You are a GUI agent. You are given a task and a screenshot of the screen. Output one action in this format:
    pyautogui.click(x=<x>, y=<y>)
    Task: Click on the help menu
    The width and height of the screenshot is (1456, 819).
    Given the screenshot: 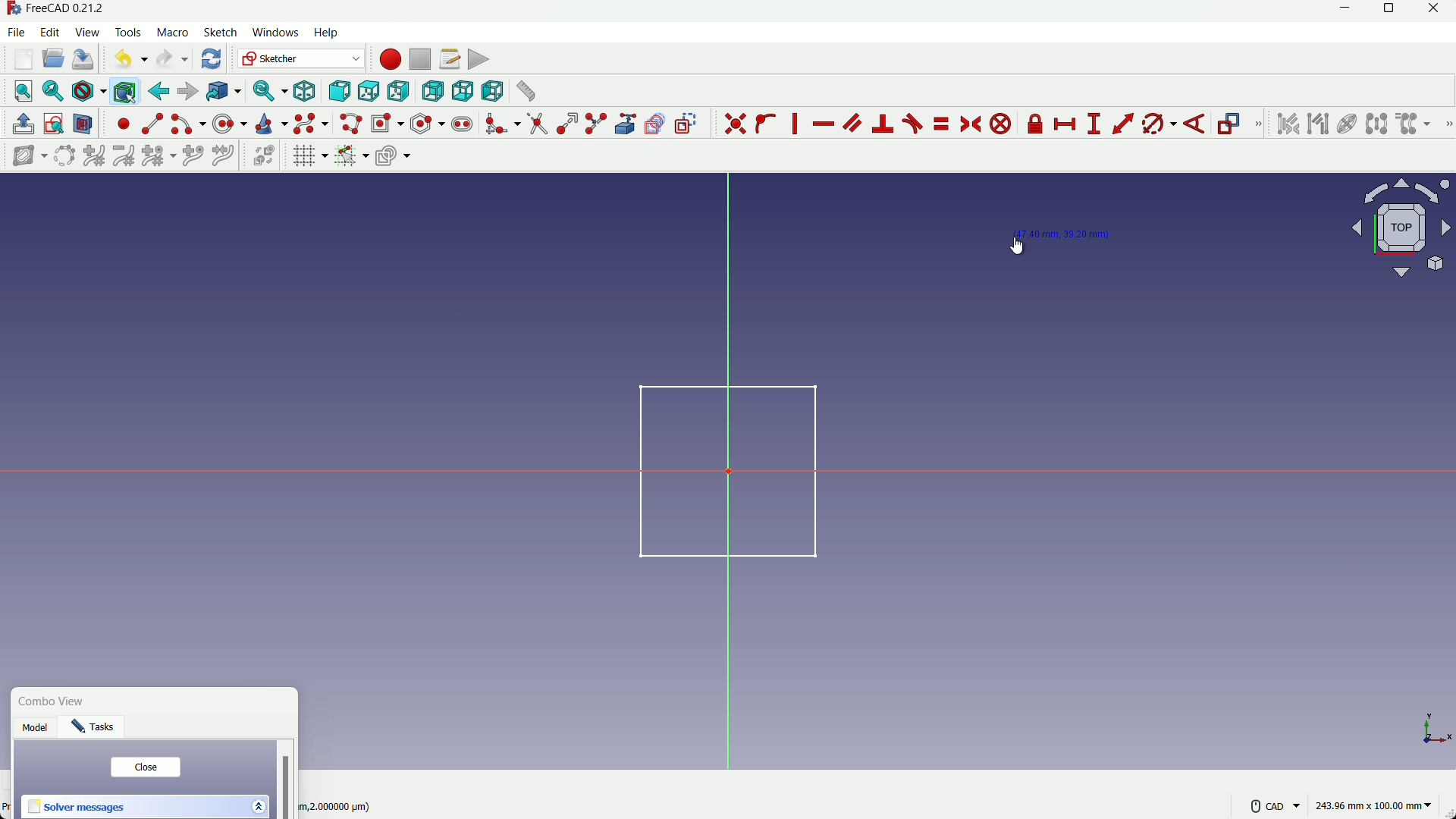 What is the action you would take?
    pyautogui.click(x=331, y=33)
    